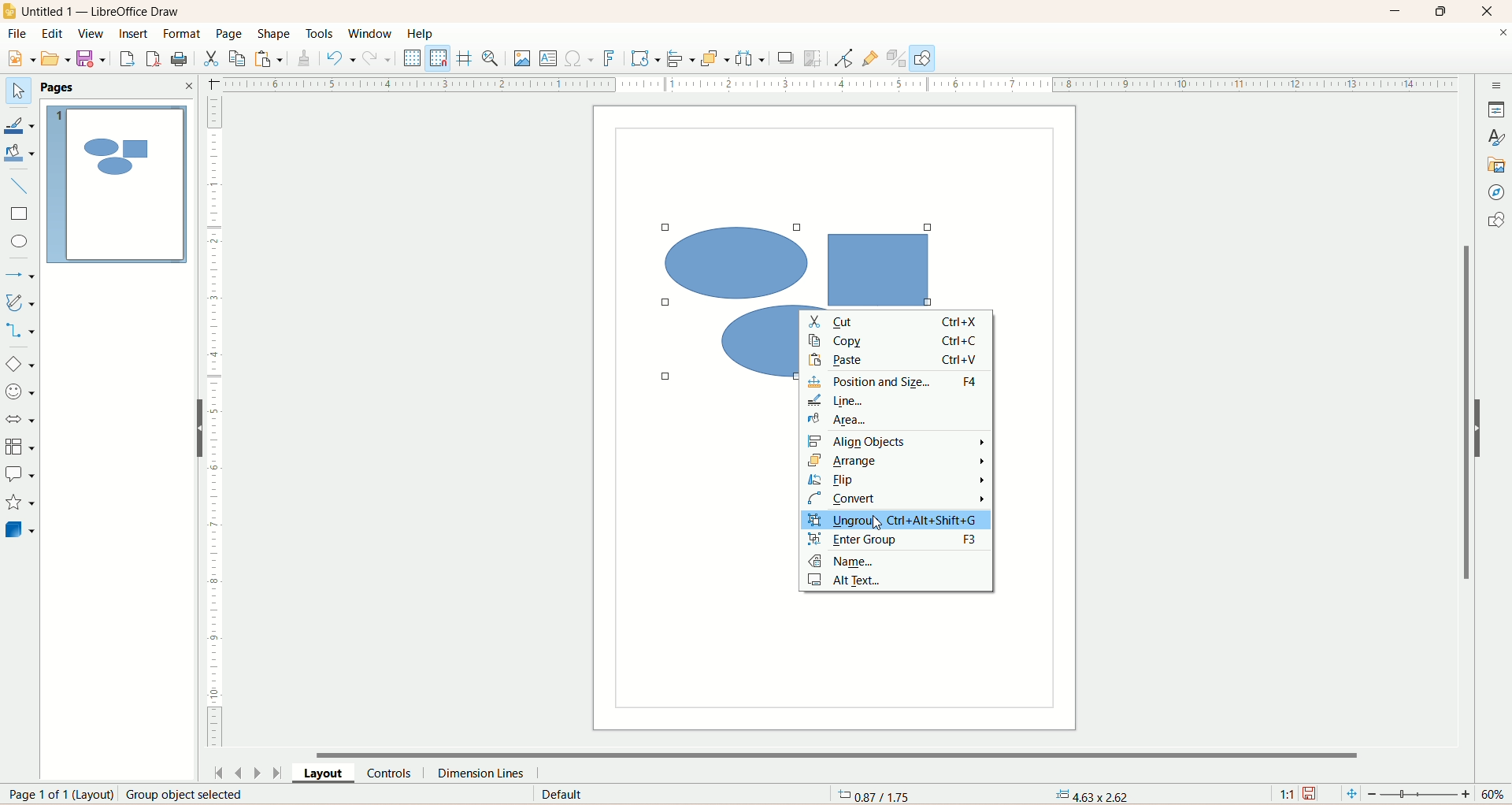  What do you see at coordinates (54, 35) in the screenshot?
I see `edit` at bounding box center [54, 35].